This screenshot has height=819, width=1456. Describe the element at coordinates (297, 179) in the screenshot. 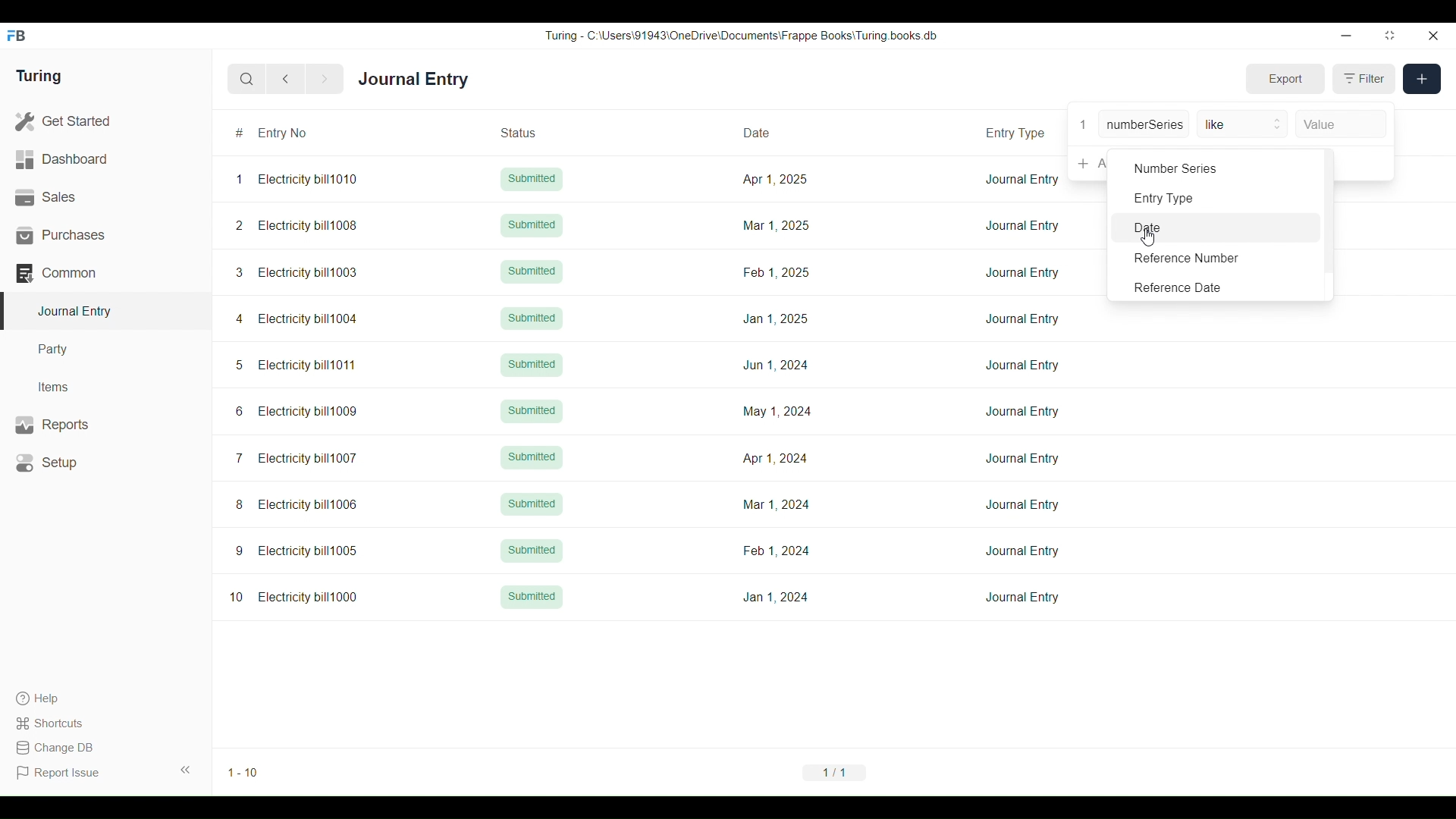

I see `1 Electricity bill1010` at that location.